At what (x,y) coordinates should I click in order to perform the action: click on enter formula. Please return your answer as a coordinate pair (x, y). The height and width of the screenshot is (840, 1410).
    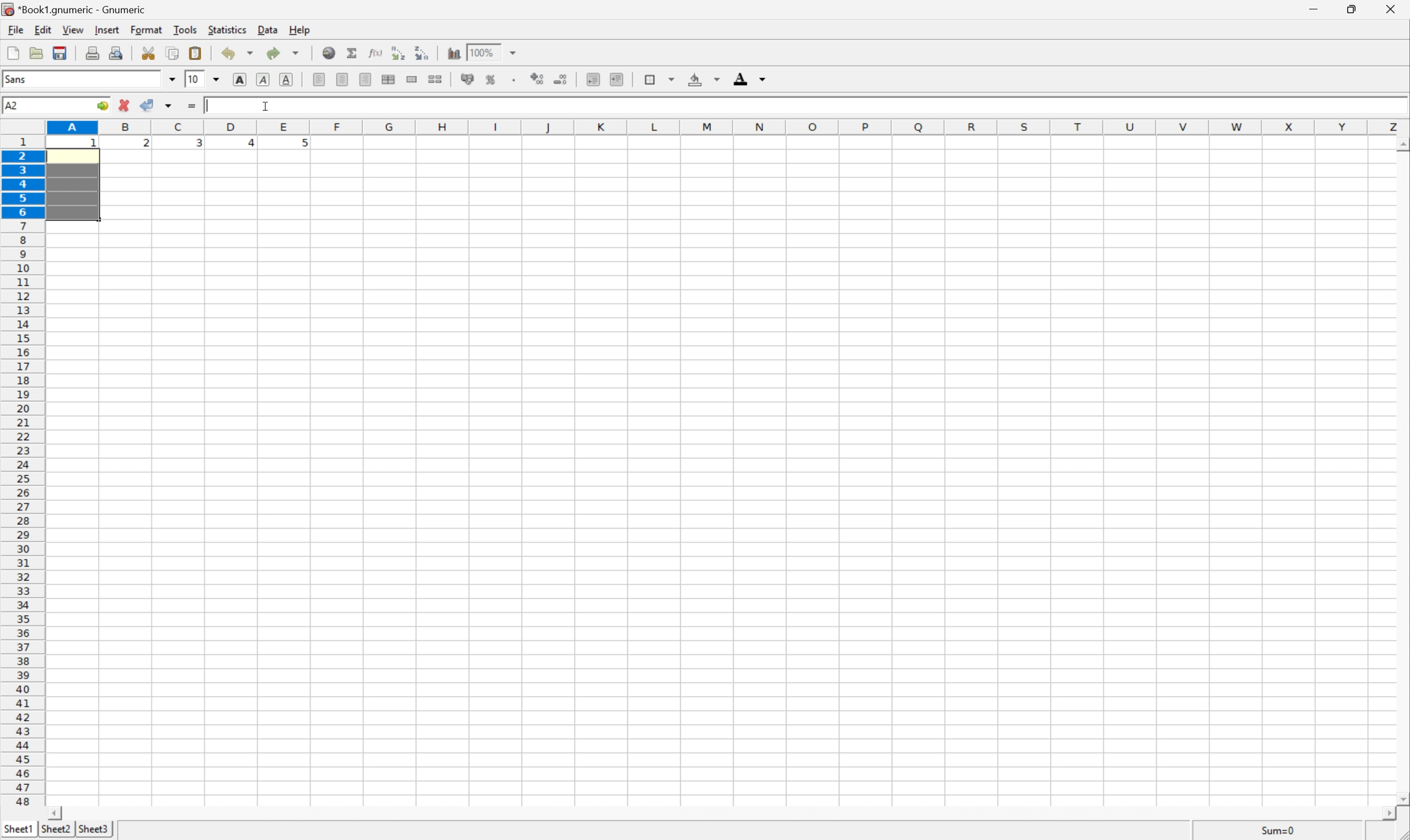
    Looking at the image, I should click on (193, 106).